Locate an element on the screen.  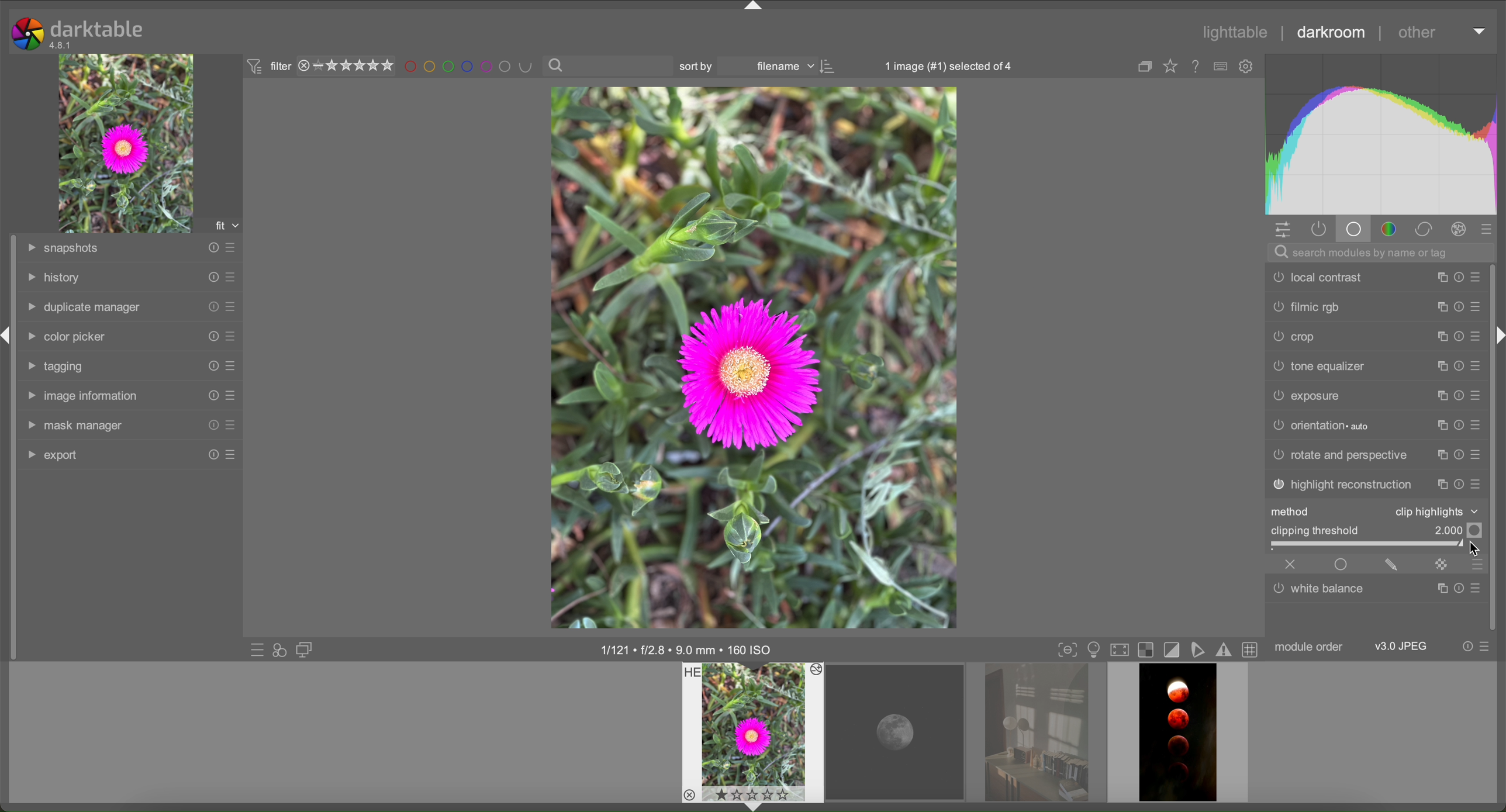
darkroom is located at coordinates (1328, 30).